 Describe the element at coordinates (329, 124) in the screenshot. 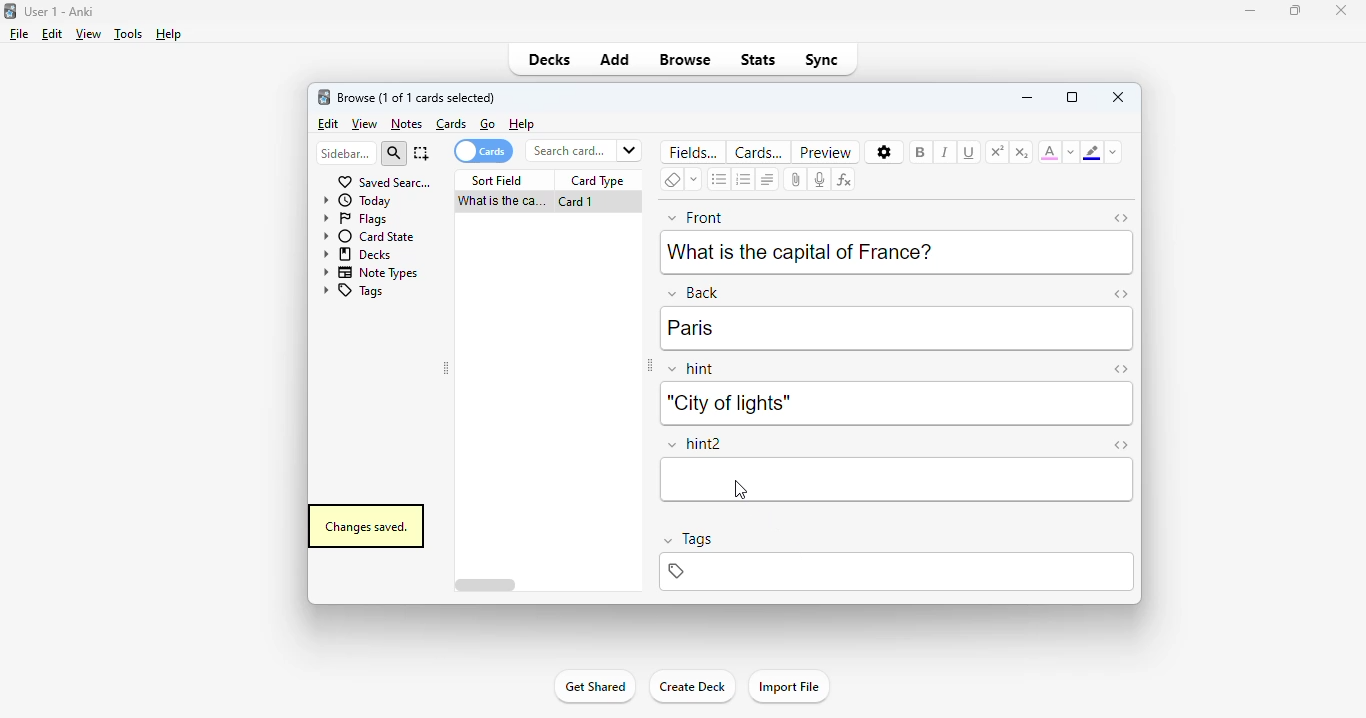

I see `edit` at that location.